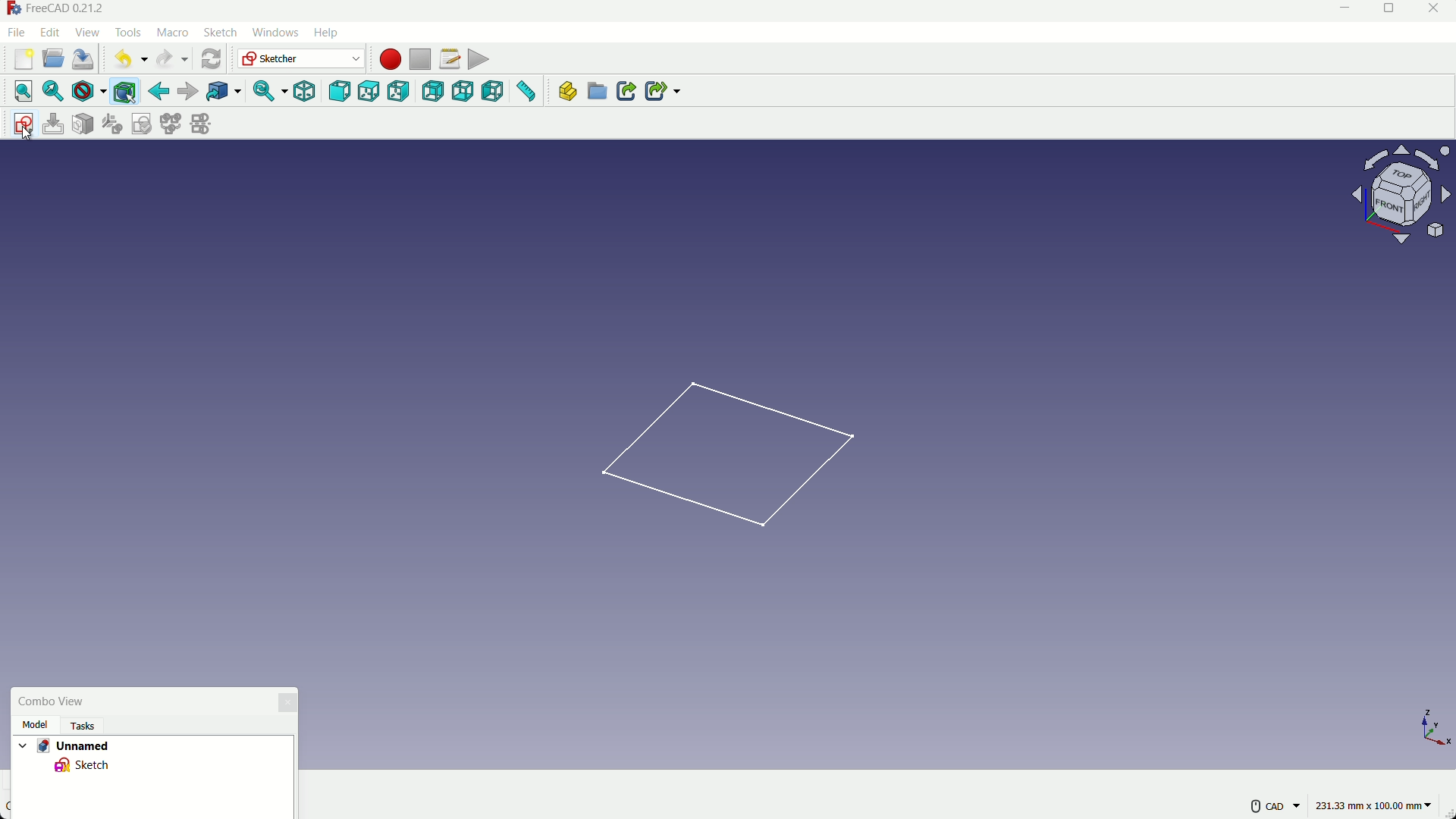  Describe the element at coordinates (169, 123) in the screenshot. I see `merge sketches` at that location.